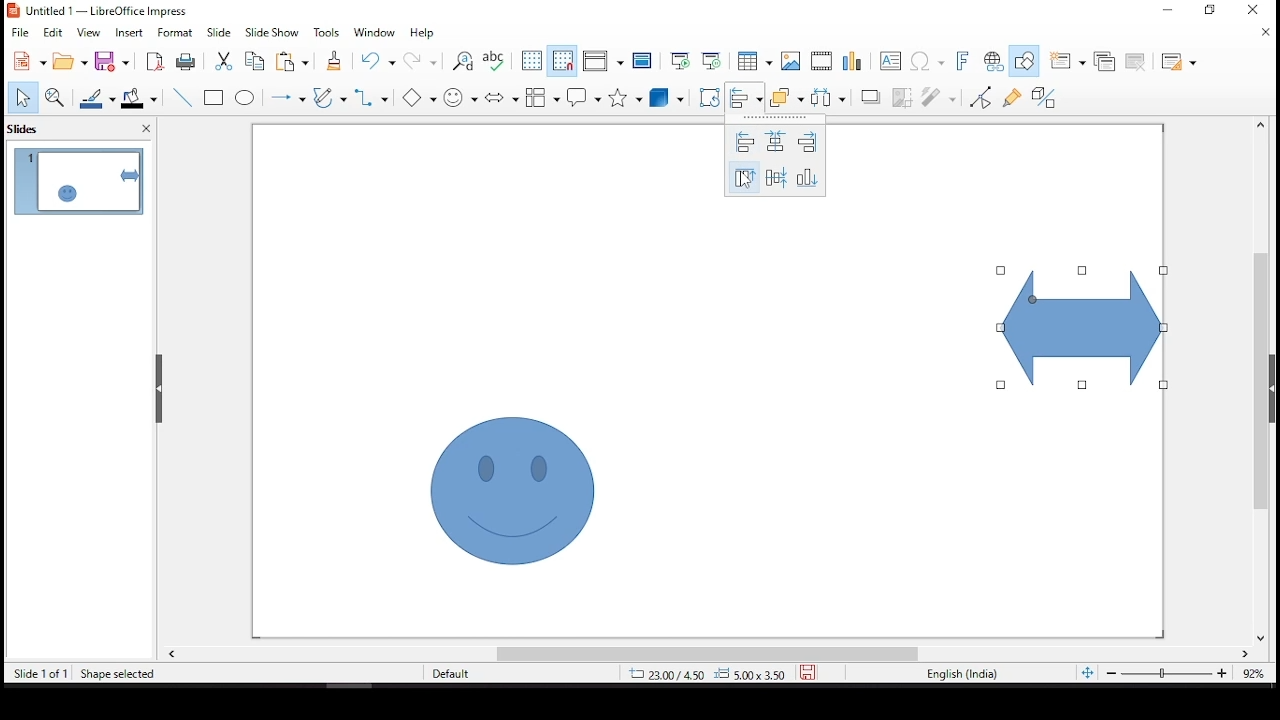  Describe the element at coordinates (1087, 672) in the screenshot. I see `fit slide to current window` at that location.